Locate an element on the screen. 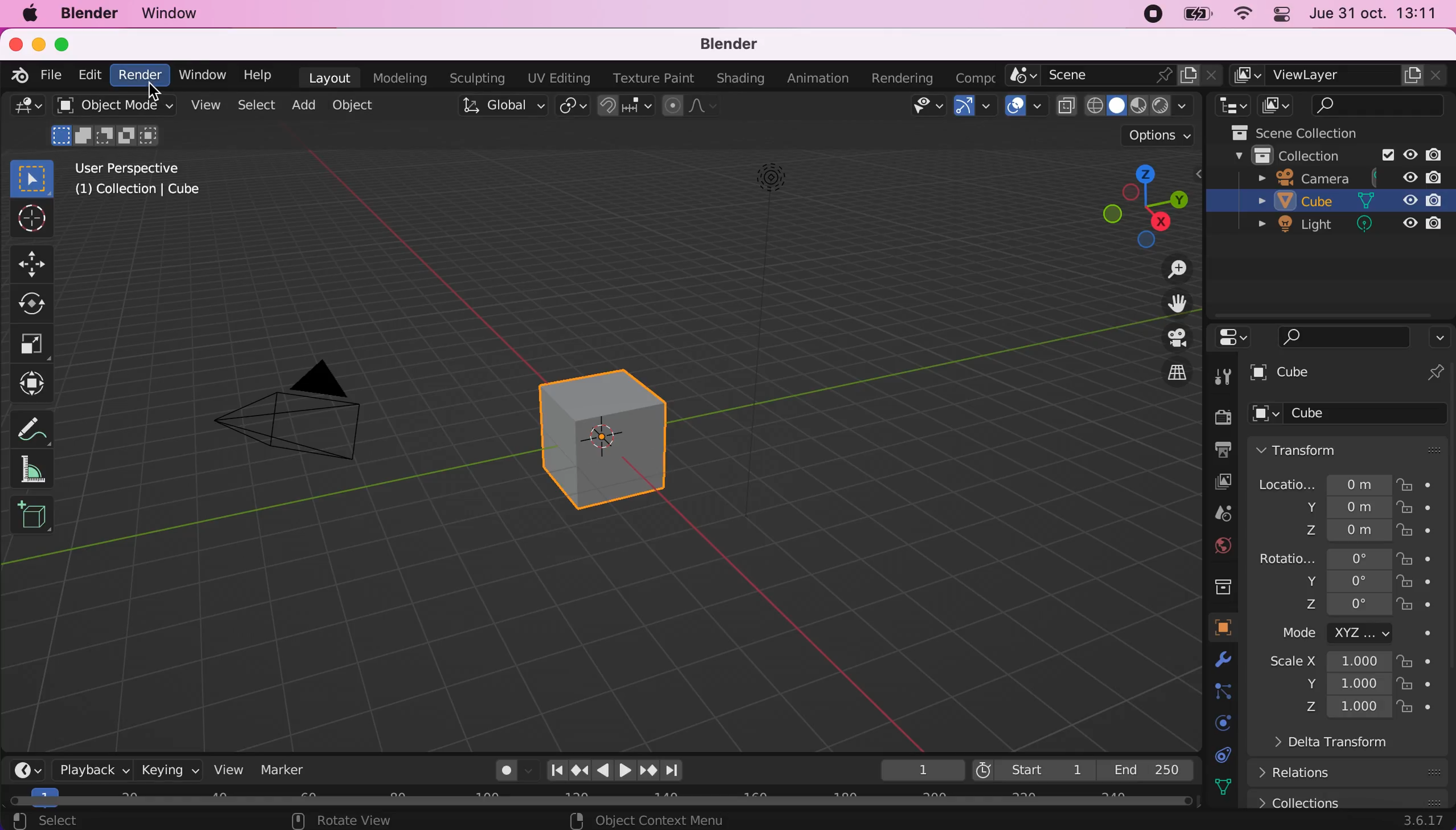 This screenshot has width=1456, height=830. panel control is located at coordinates (1284, 14).